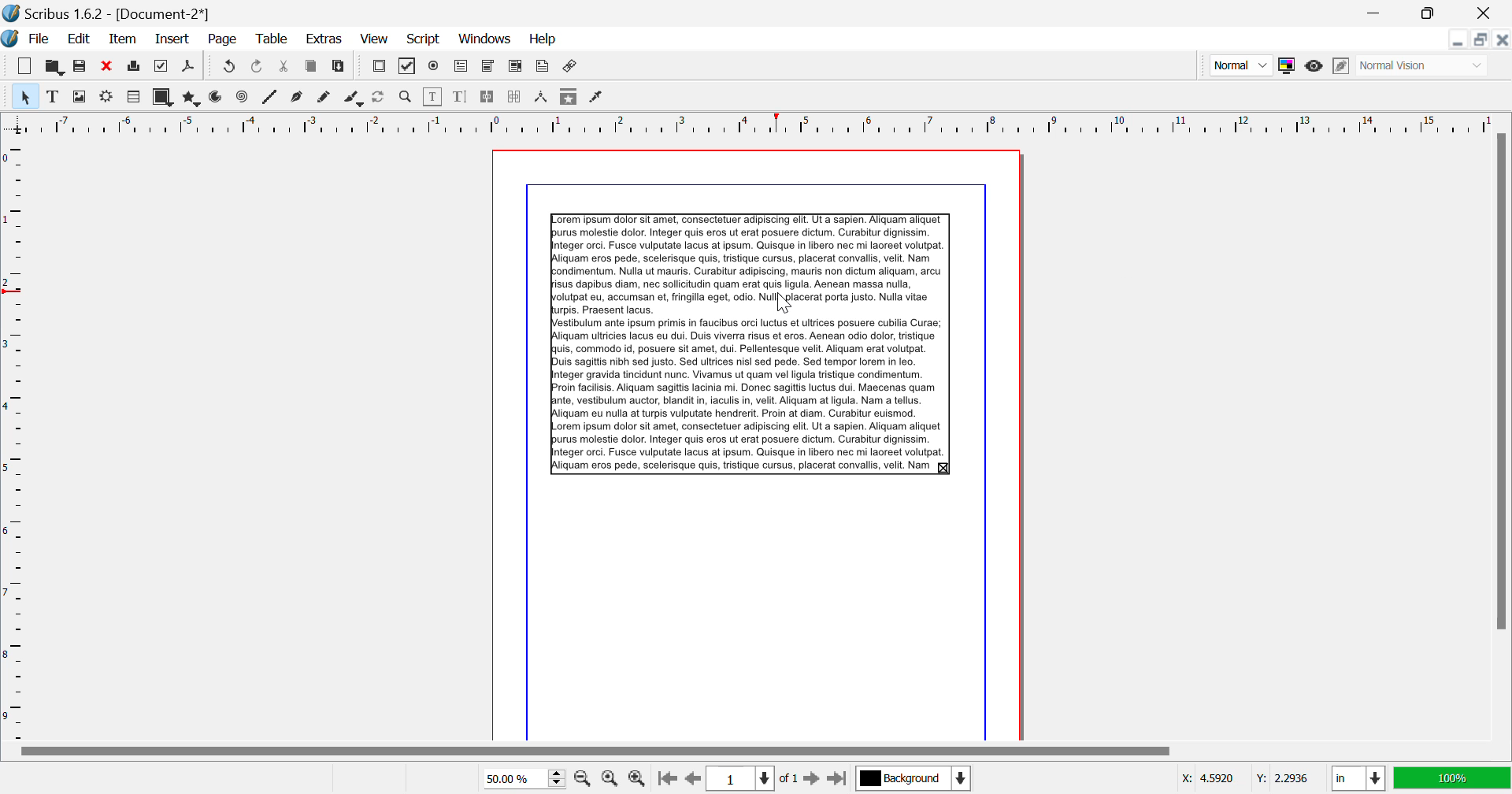 The image size is (1512, 794). Describe the element at coordinates (406, 97) in the screenshot. I see `Zoom` at that location.